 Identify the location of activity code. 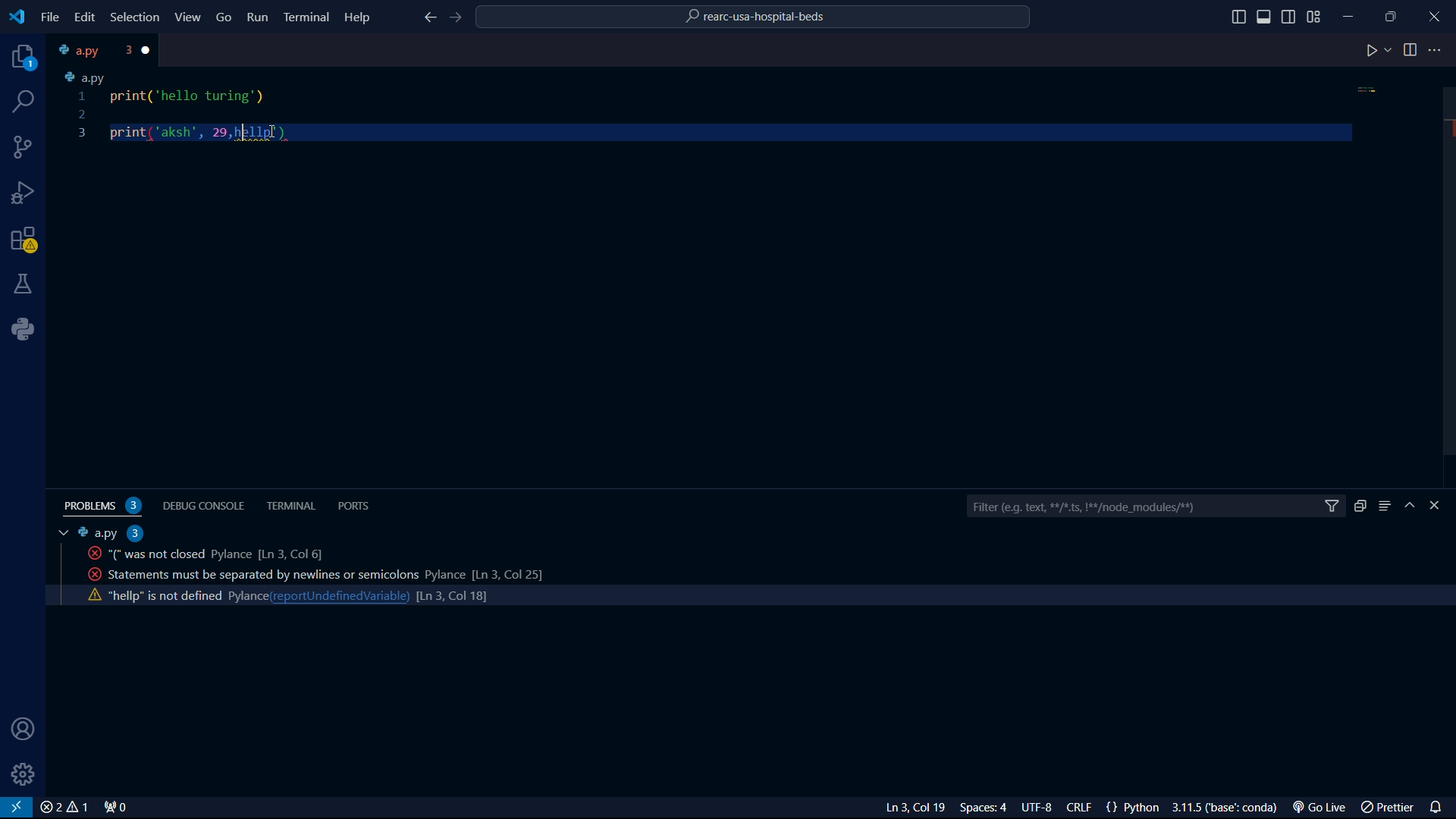
(306, 573).